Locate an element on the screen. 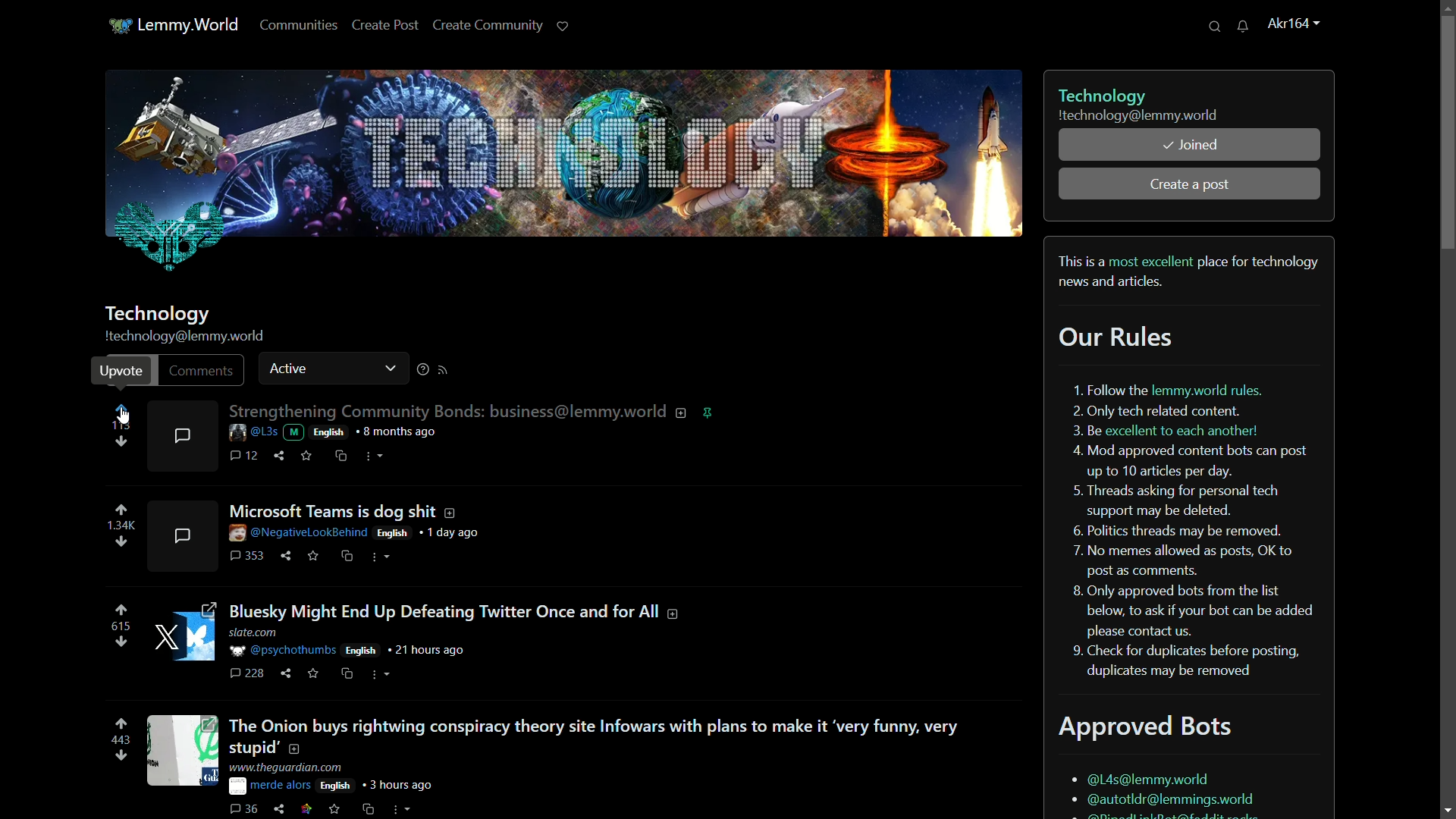  downvote is located at coordinates (121, 755).